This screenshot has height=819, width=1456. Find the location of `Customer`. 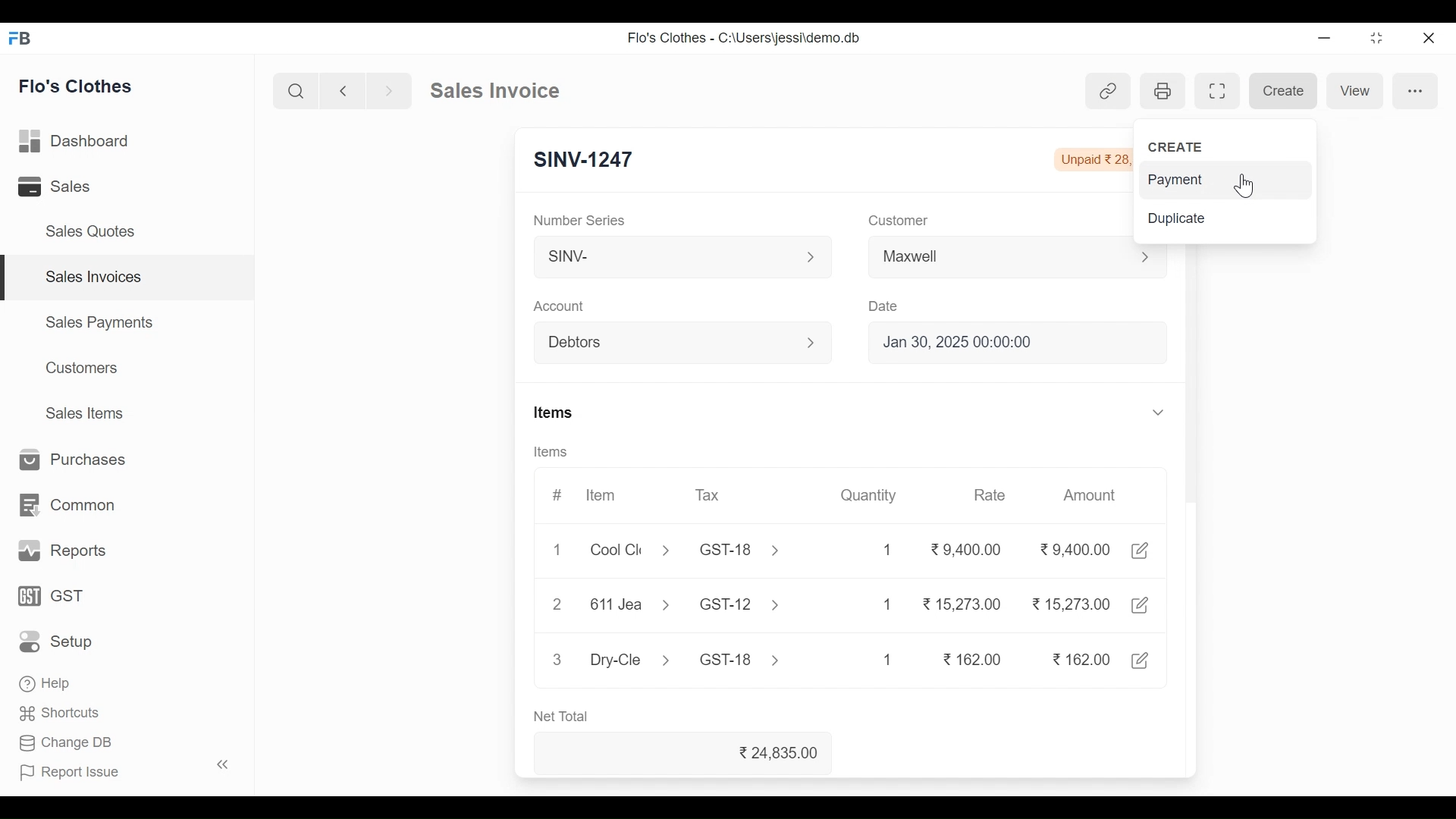

Customer is located at coordinates (899, 222).